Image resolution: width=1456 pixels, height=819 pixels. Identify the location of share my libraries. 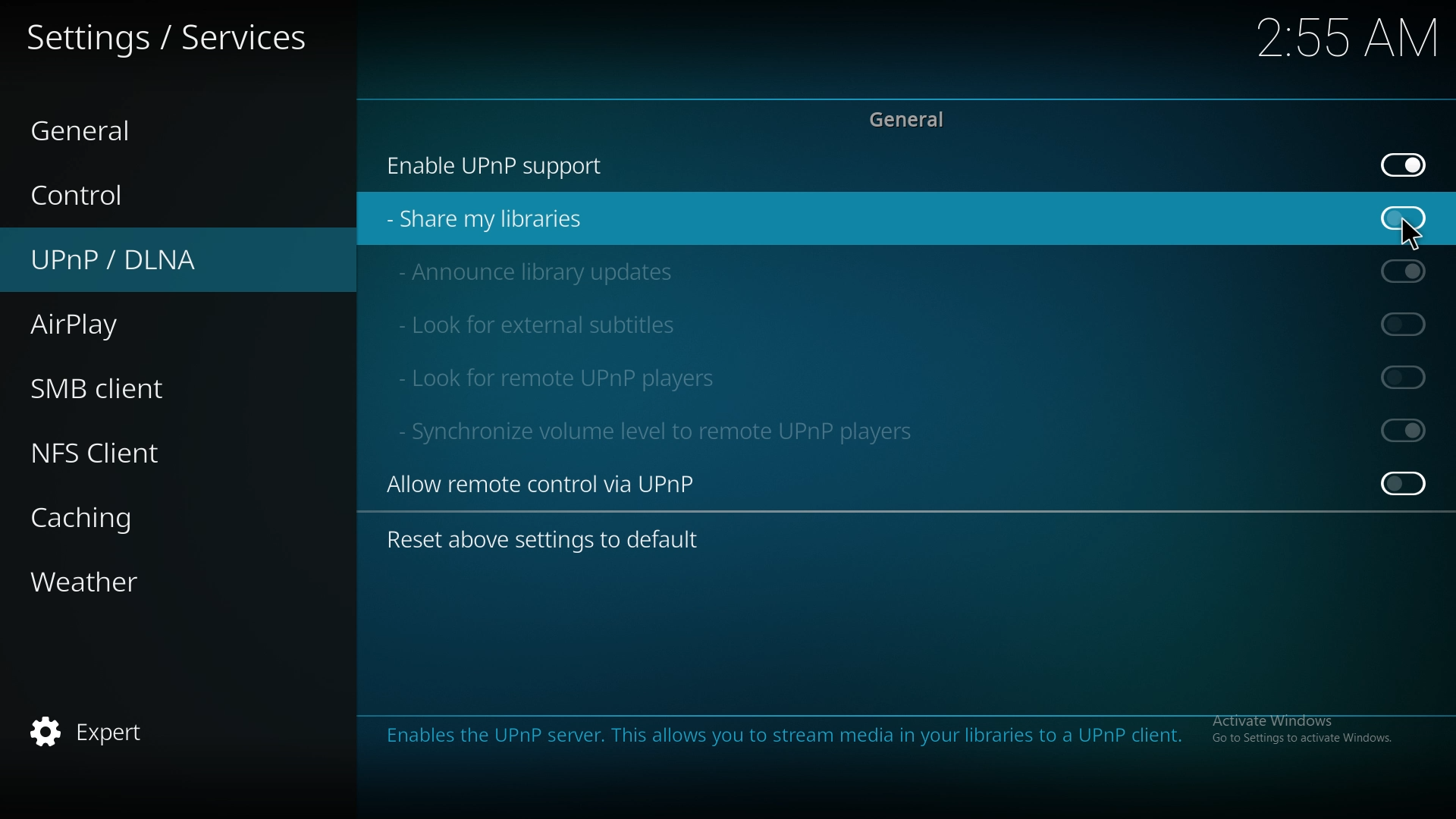
(497, 218).